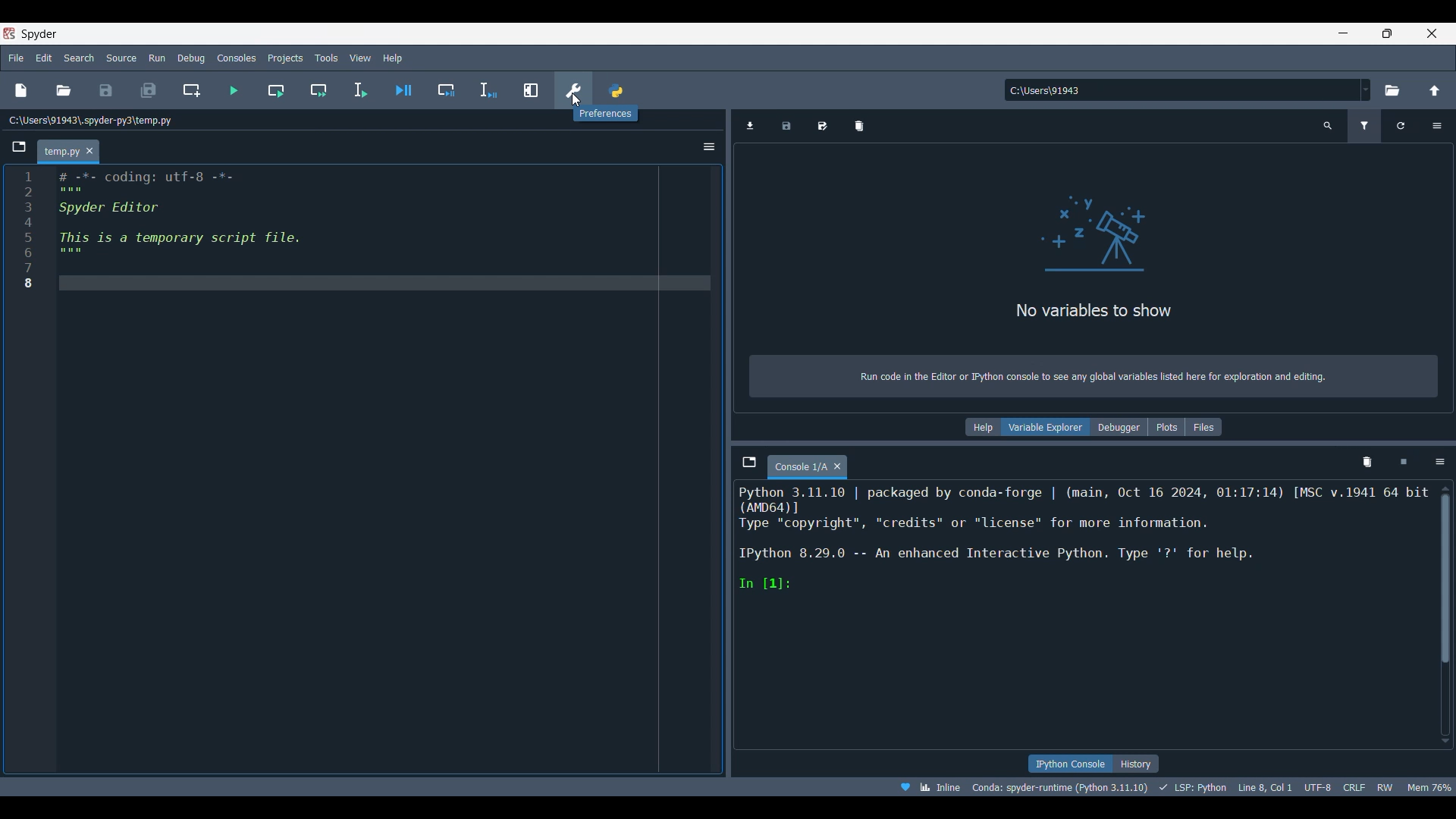  What do you see at coordinates (191, 58) in the screenshot?
I see `Debug menu` at bounding box center [191, 58].